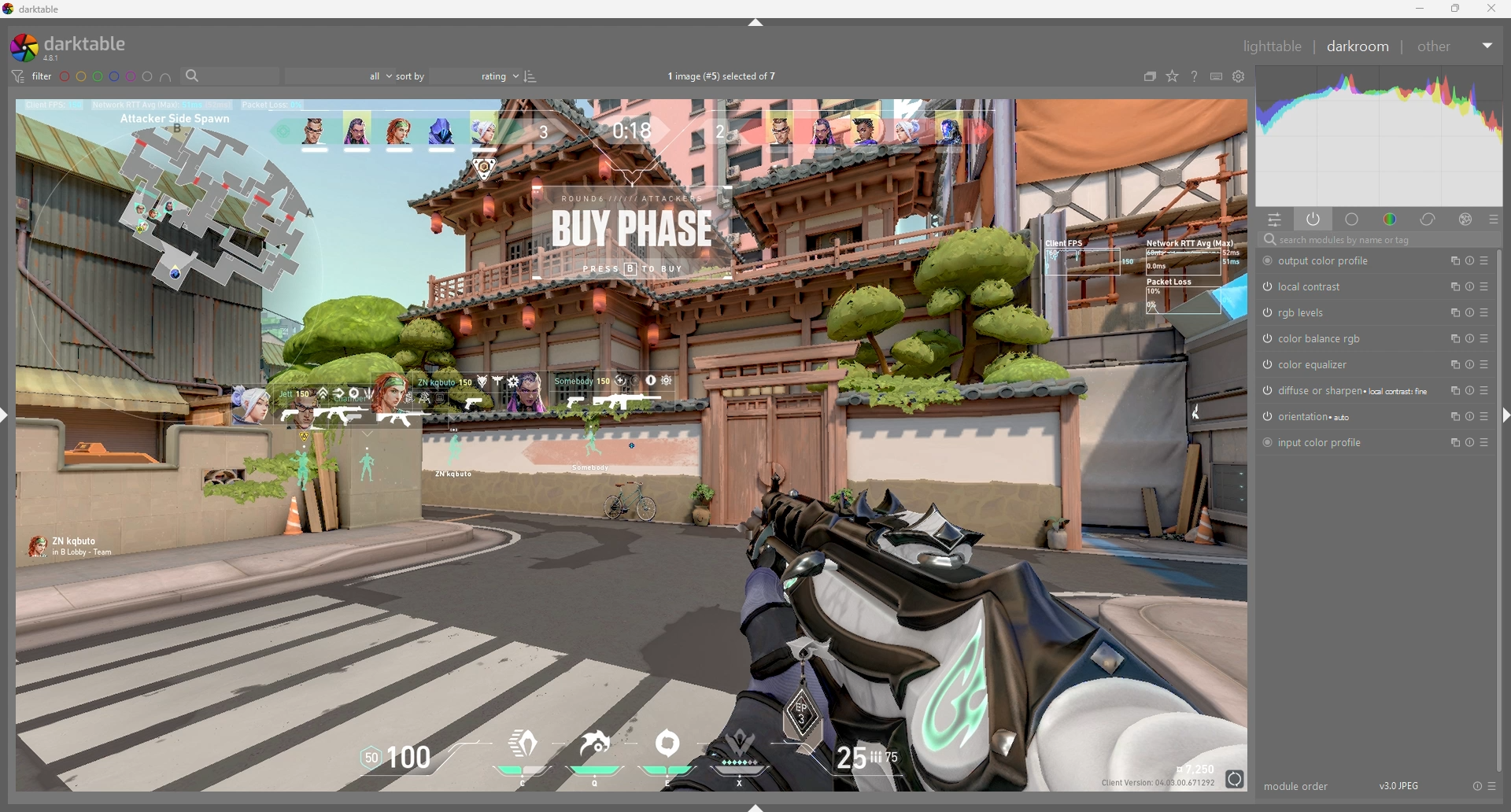 The height and width of the screenshot is (812, 1511). Describe the element at coordinates (1483, 364) in the screenshot. I see `presets` at that location.